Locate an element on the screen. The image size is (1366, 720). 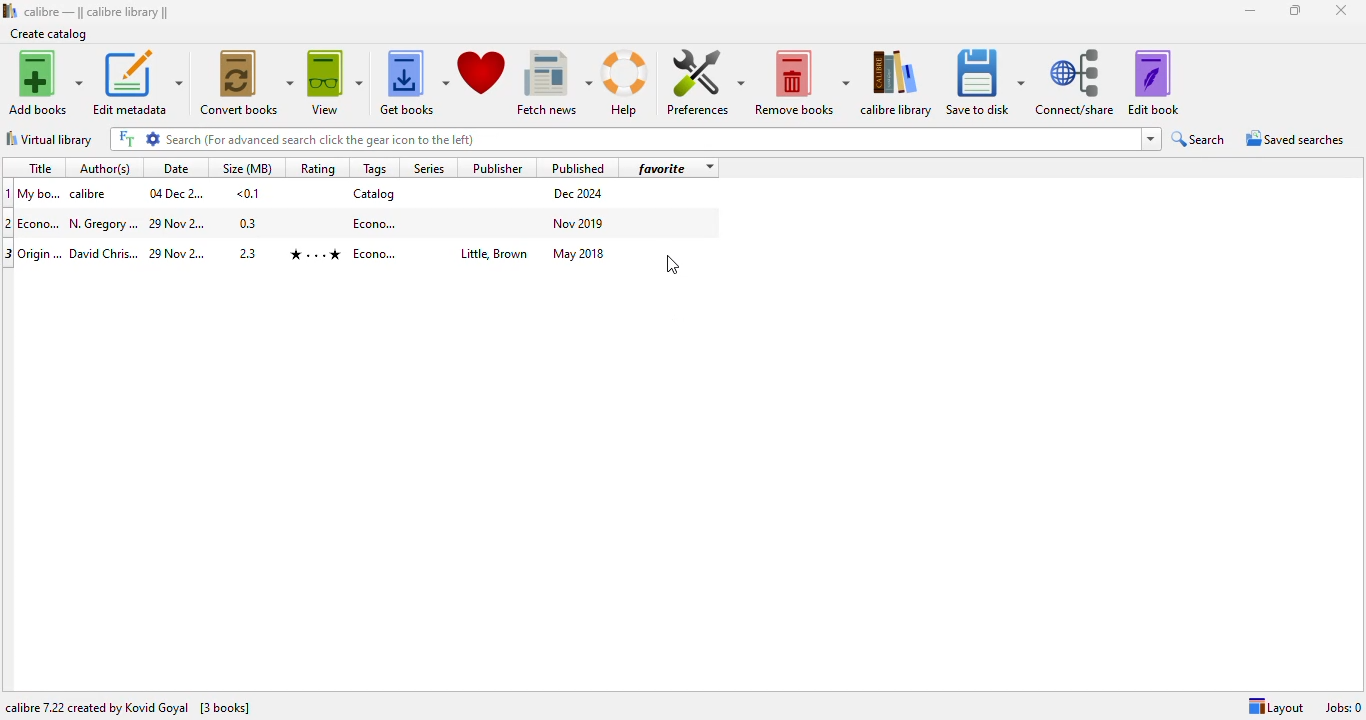
logo is located at coordinates (9, 10).